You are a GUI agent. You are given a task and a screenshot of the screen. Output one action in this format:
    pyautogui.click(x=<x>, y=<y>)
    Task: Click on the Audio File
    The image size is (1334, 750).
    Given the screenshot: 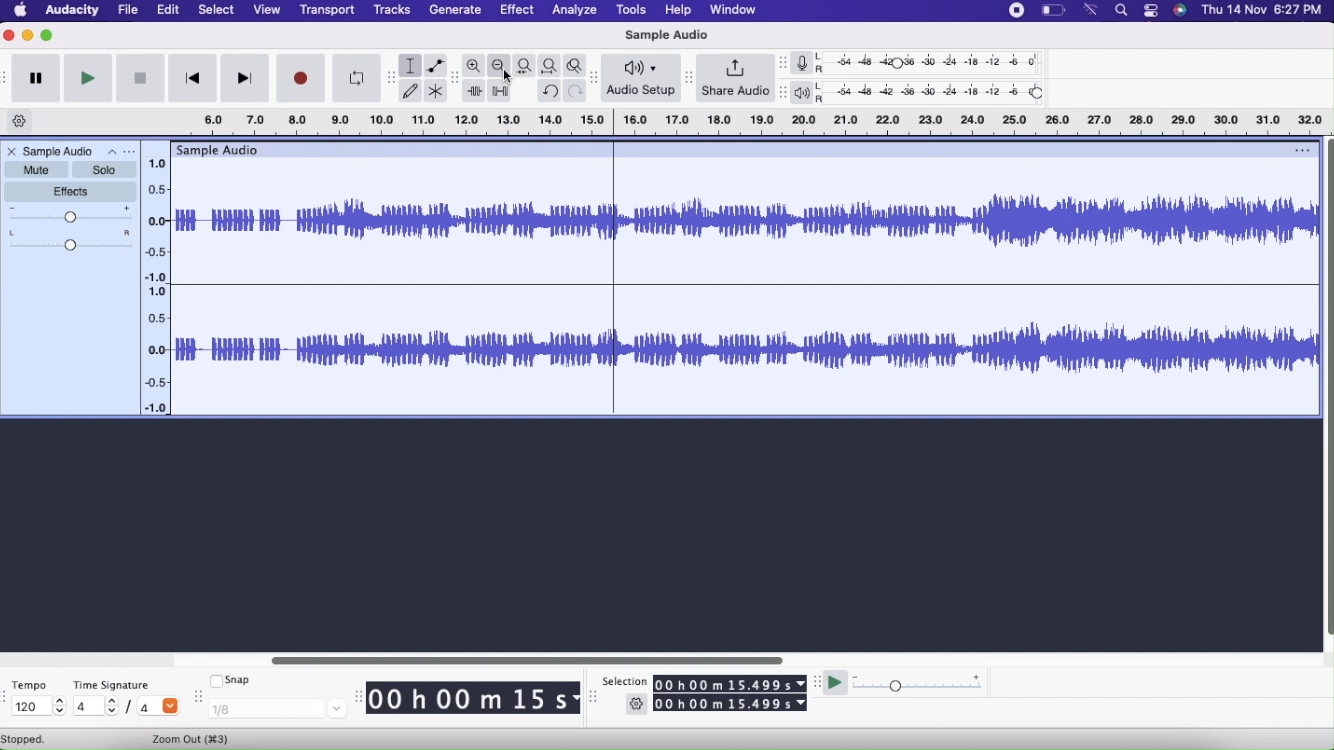 What is the action you would take?
    pyautogui.click(x=742, y=282)
    